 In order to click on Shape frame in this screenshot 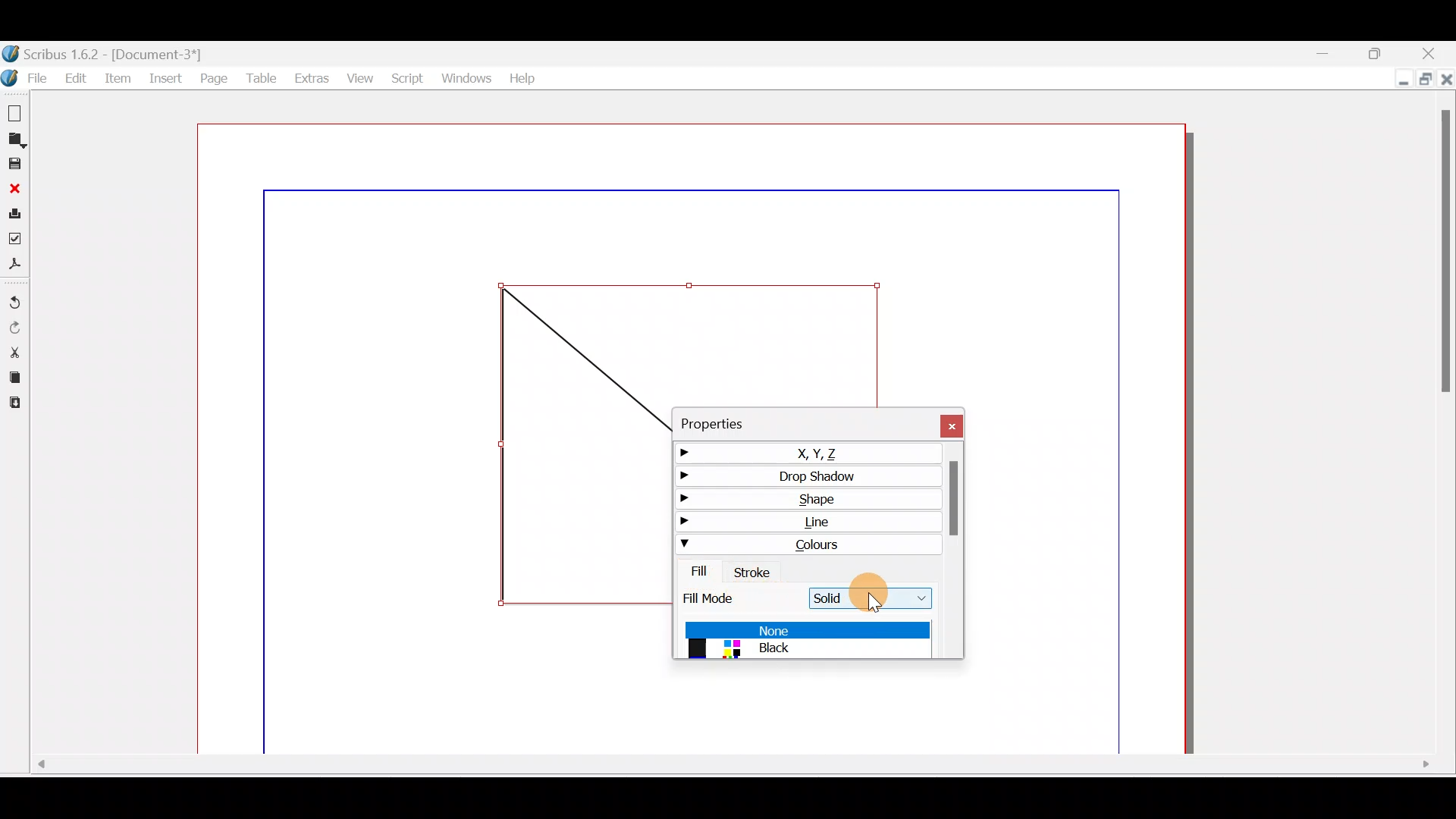, I will do `click(580, 447)`.